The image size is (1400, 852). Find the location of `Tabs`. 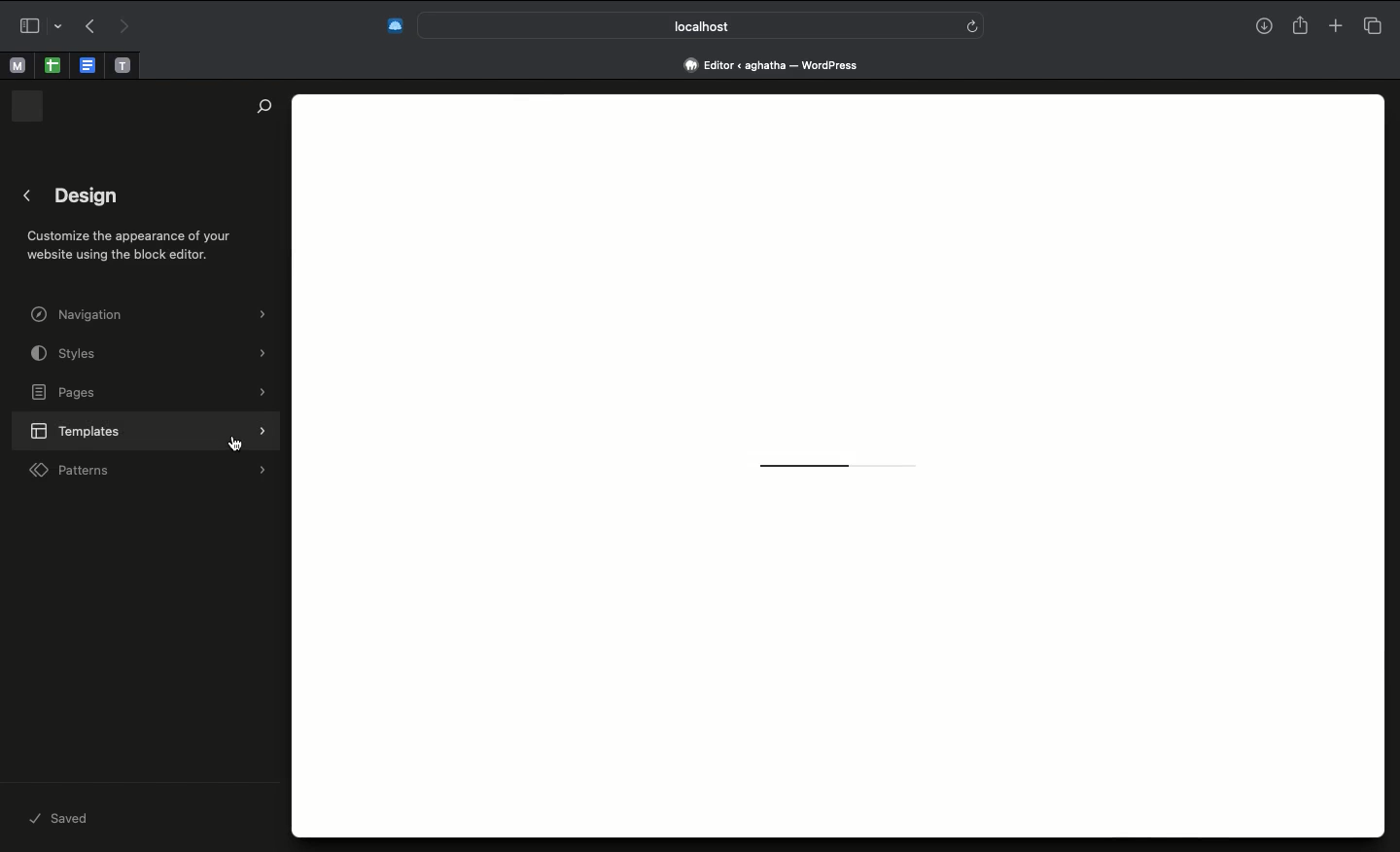

Tabs is located at coordinates (1378, 23).